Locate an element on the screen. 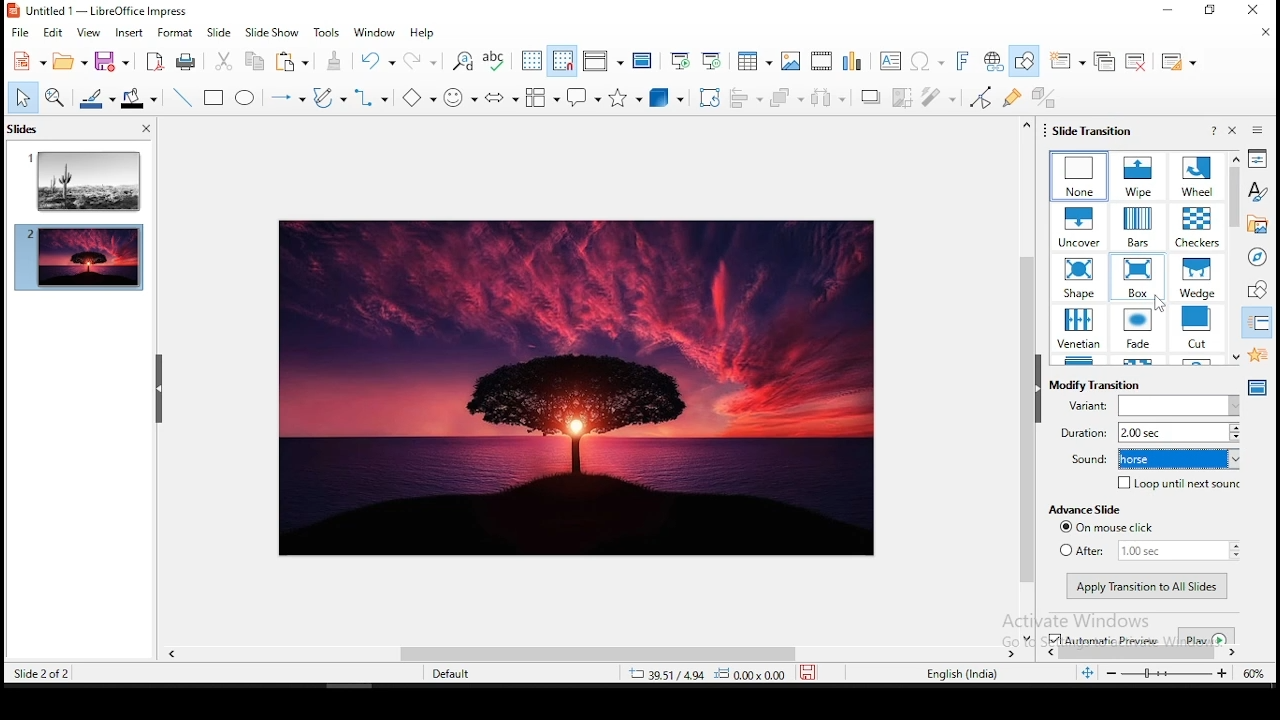 The height and width of the screenshot is (720, 1280). format is located at coordinates (175, 31).